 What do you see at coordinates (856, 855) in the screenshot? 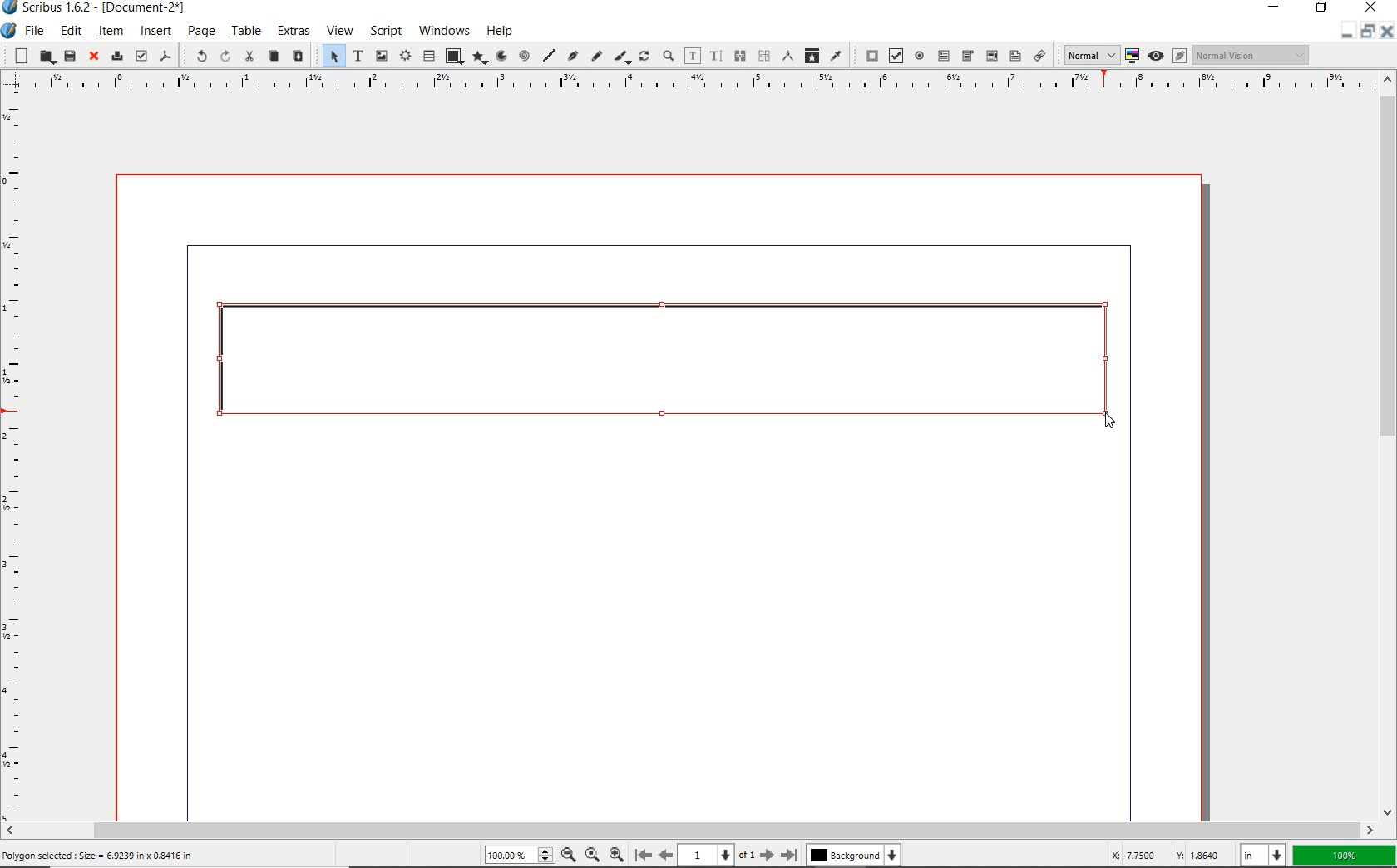
I see `background` at bounding box center [856, 855].